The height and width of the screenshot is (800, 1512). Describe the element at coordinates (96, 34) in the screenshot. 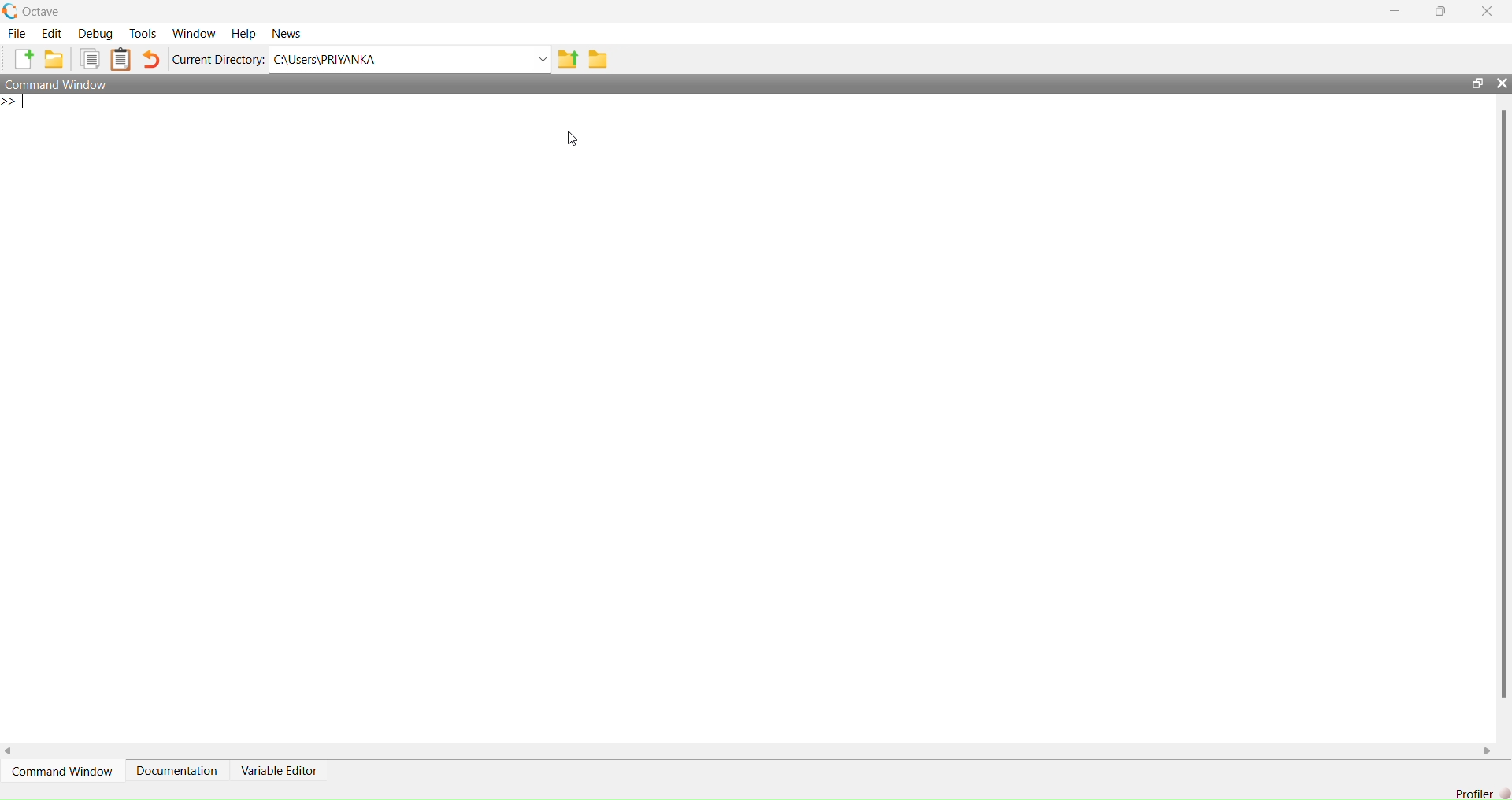

I see `Debug` at that location.